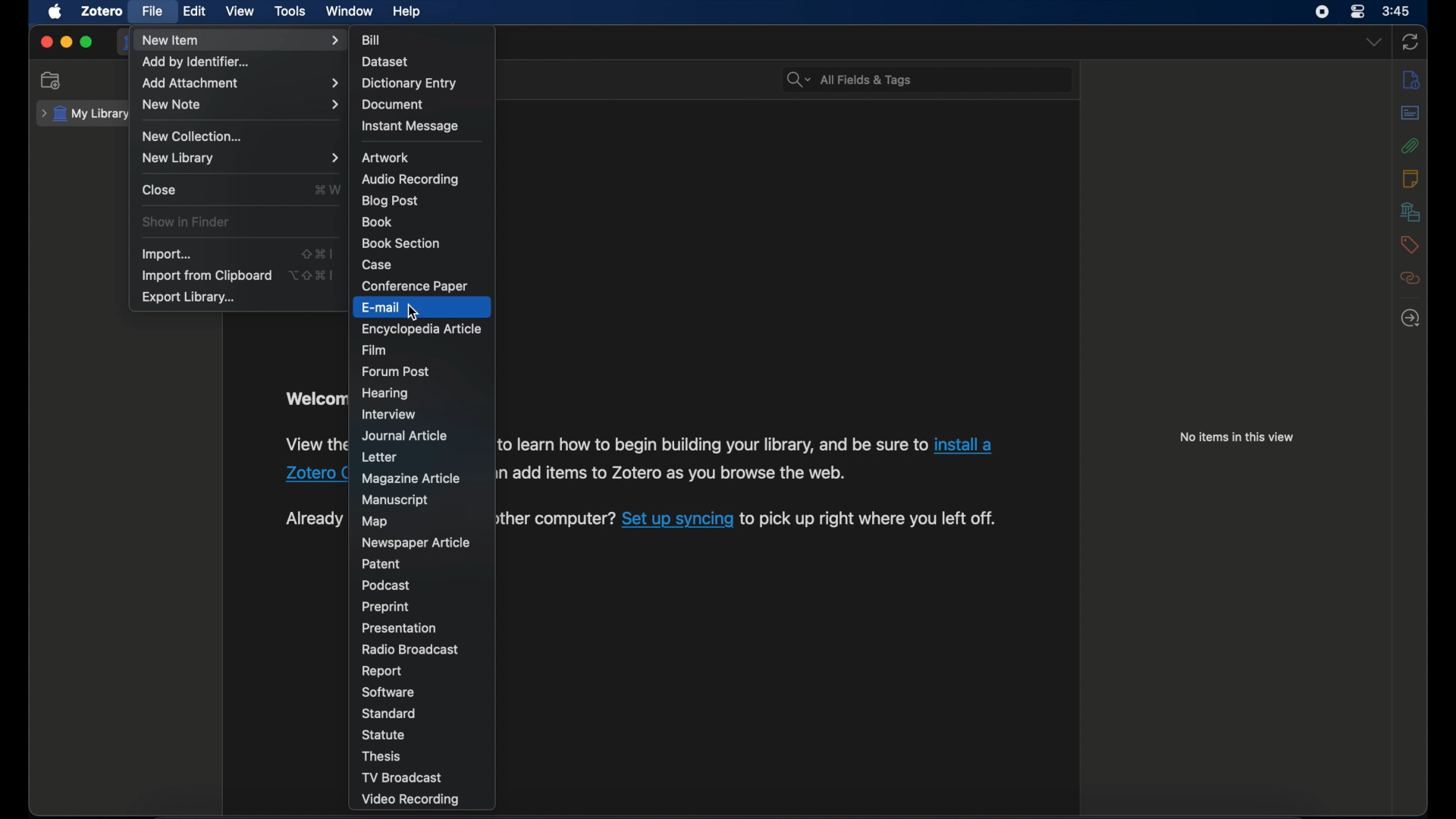 The width and height of the screenshot is (1456, 819). Describe the element at coordinates (391, 714) in the screenshot. I see `standard` at that location.